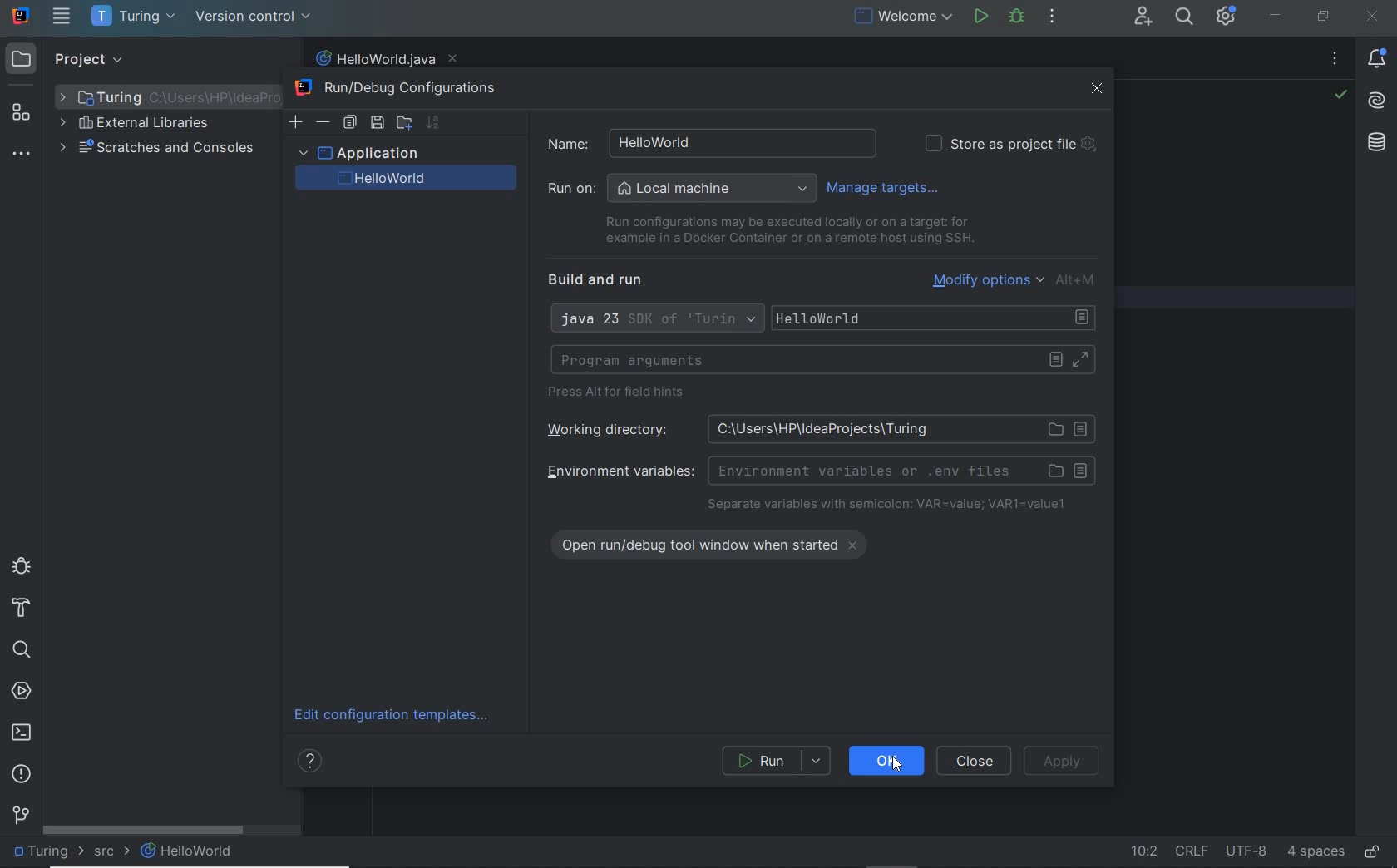 The height and width of the screenshot is (868, 1397). I want to click on RUN/DEBUG CONFIGURATIONS, so click(402, 89).